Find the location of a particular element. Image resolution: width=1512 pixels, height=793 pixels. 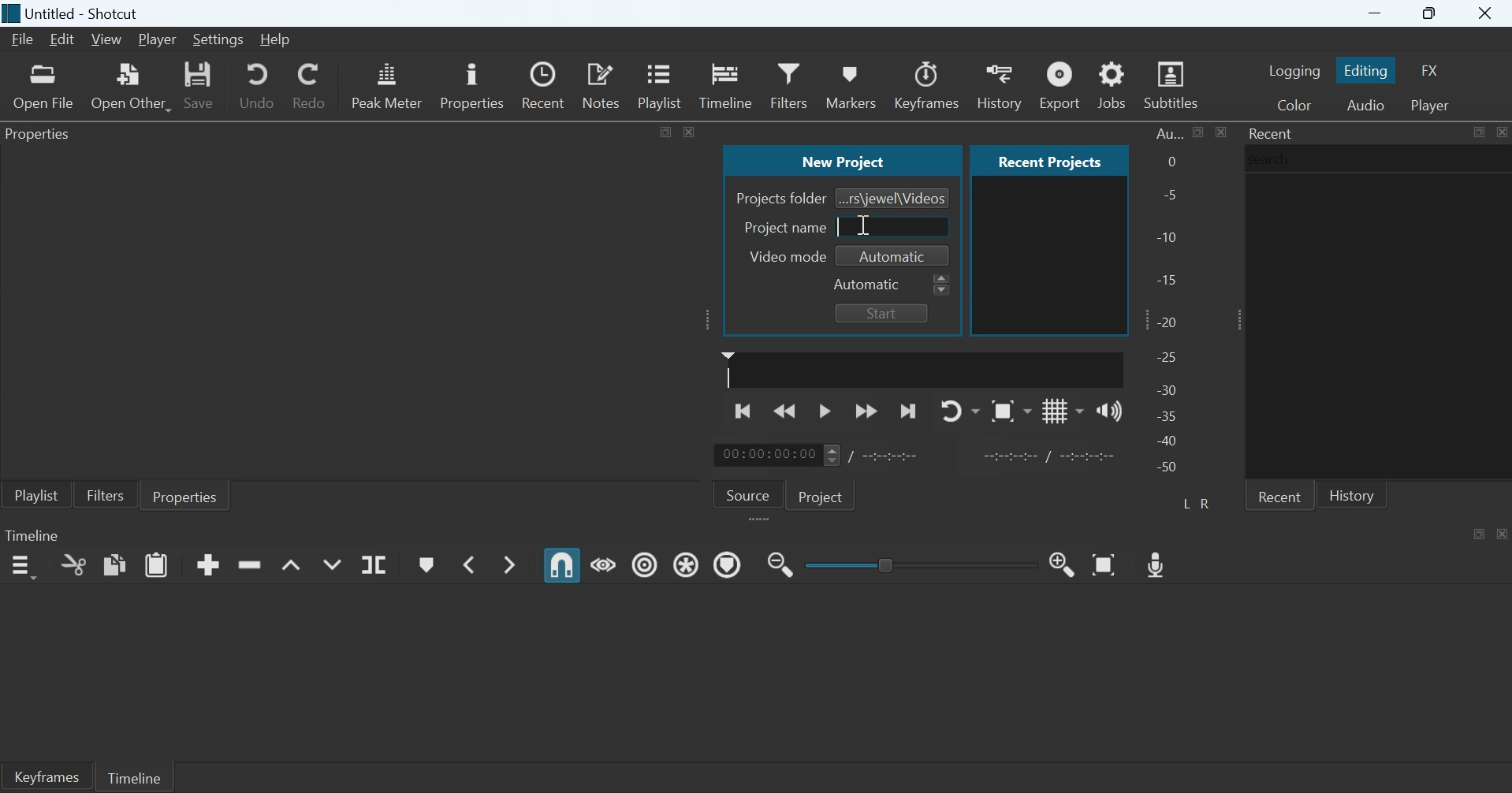

Playlist is located at coordinates (663, 84).